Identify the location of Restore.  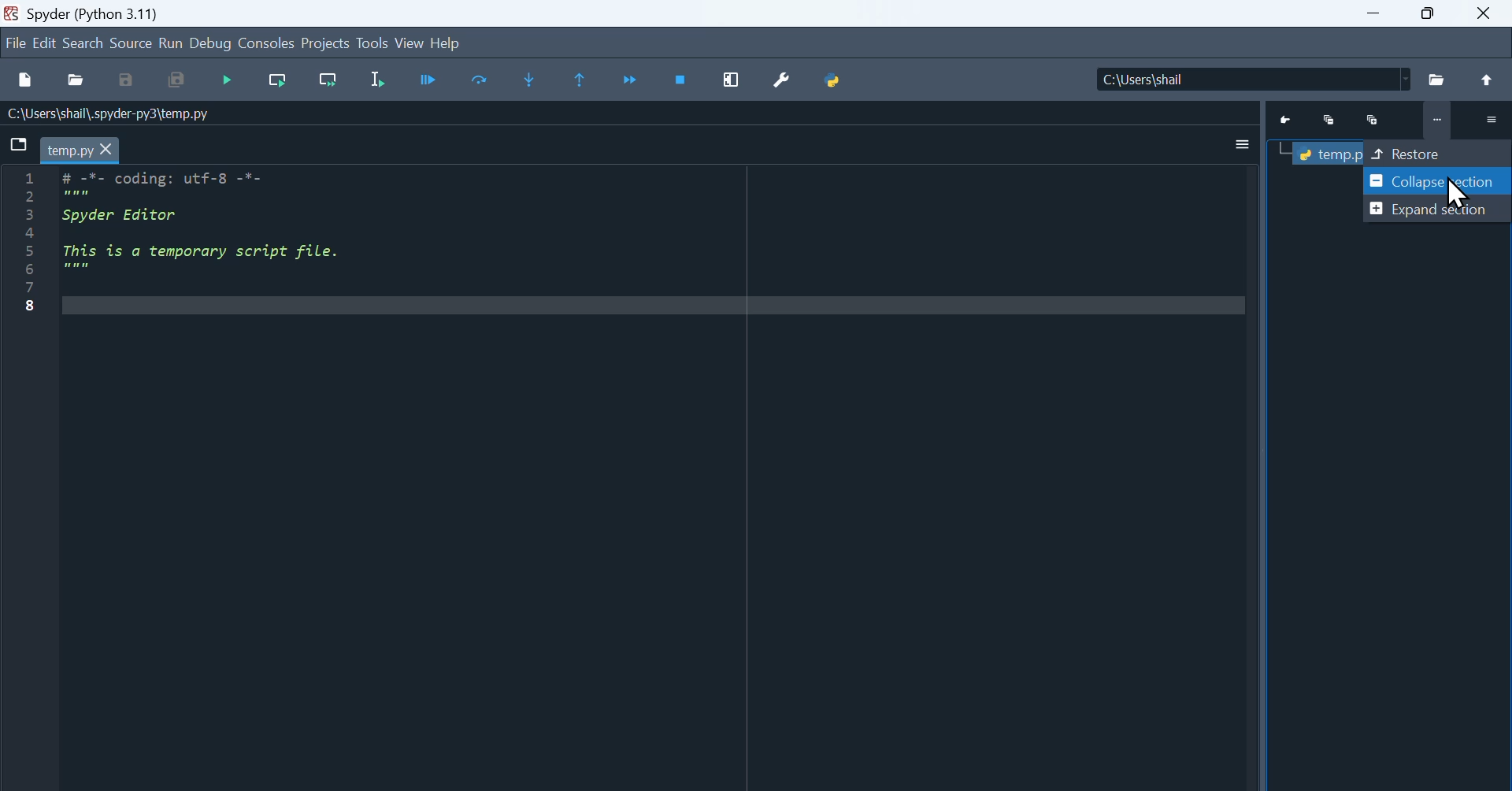
(1413, 154).